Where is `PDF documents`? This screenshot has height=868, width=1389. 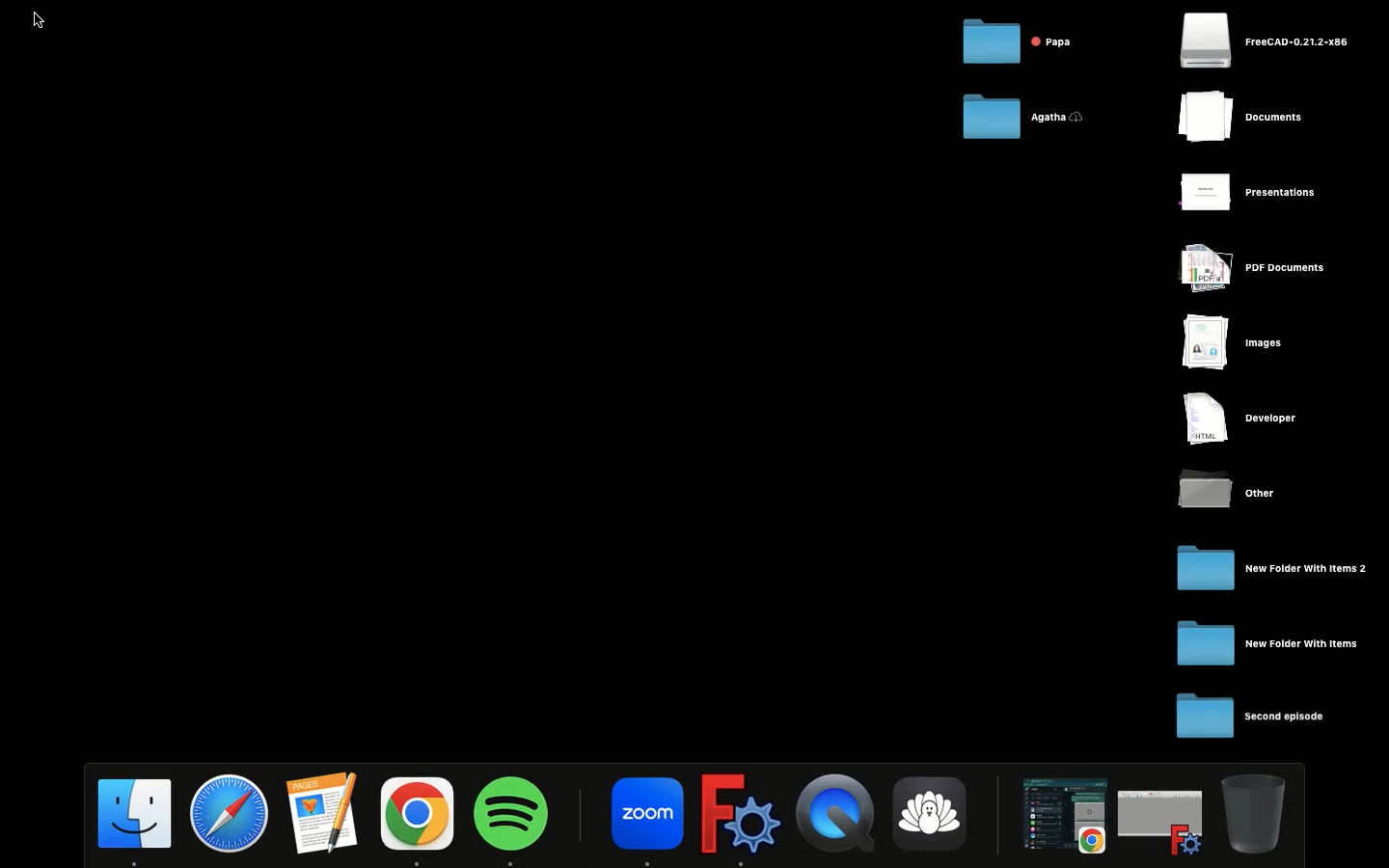
PDF documents is located at coordinates (1254, 270).